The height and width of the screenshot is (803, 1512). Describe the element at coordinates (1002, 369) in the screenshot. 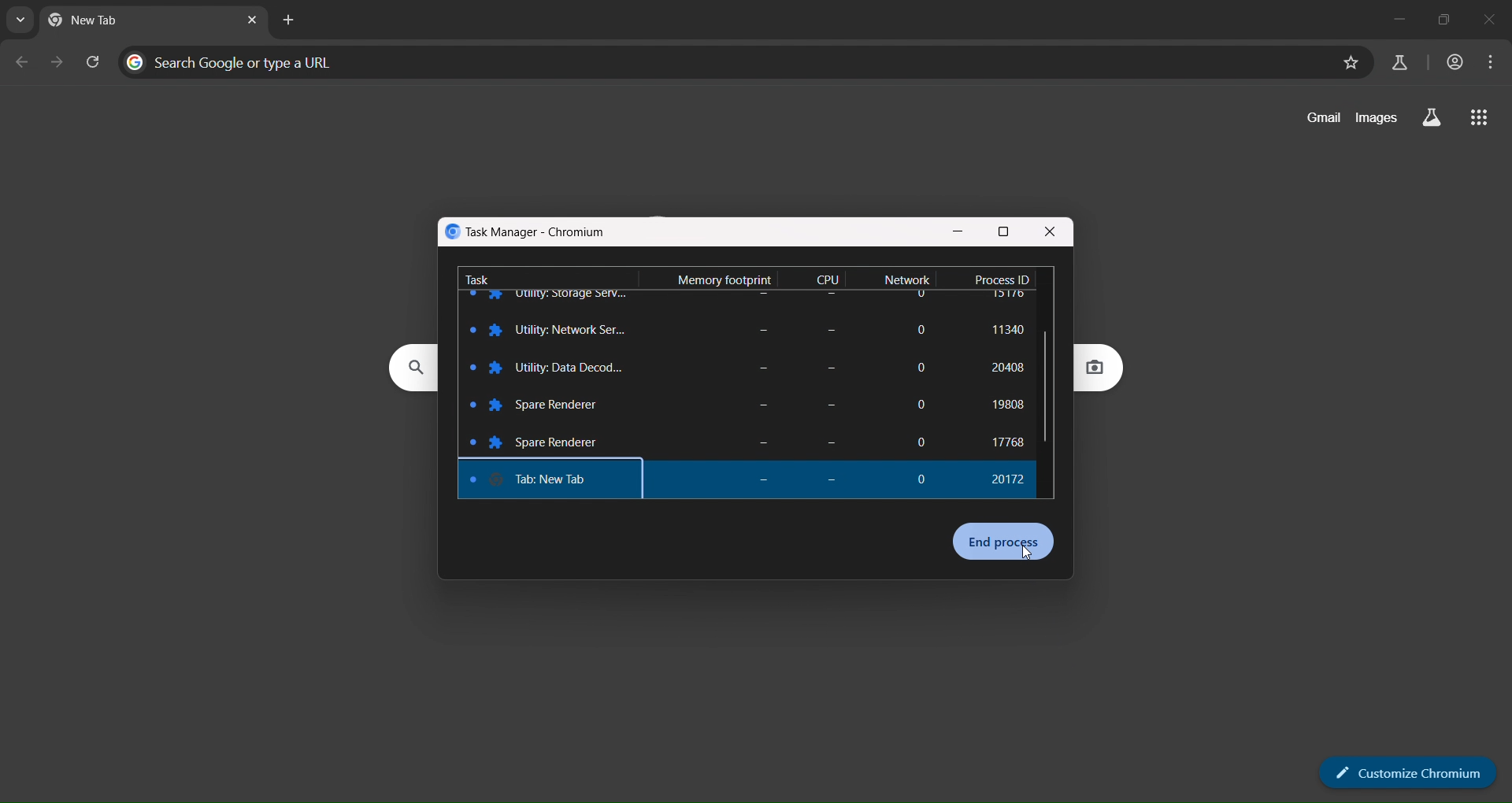

I see `11340` at that location.